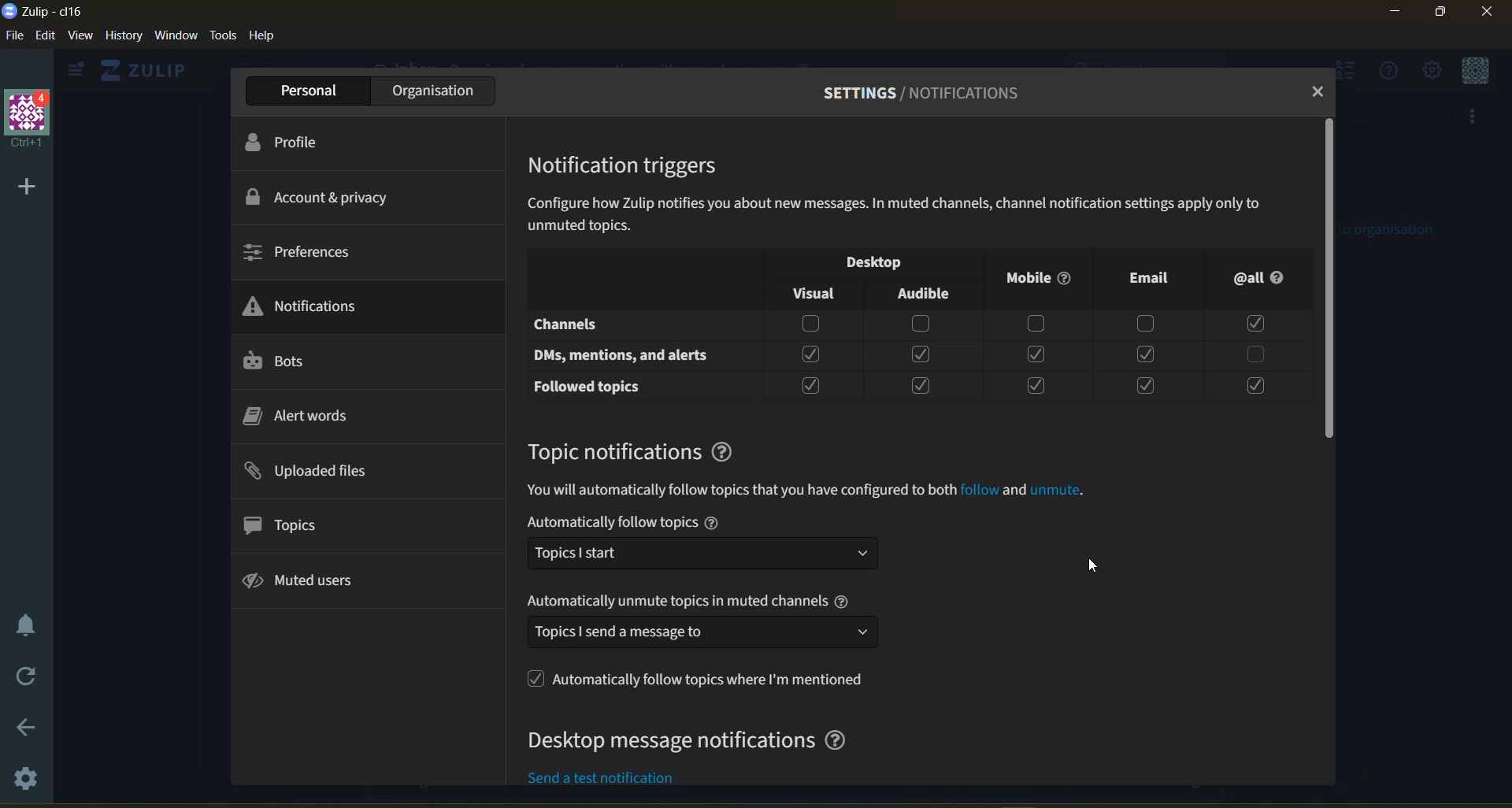 Image resolution: width=1512 pixels, height=808 pixels. Describe the element at coordinates (180, 36) in the screenshot. I see `window` at that location.